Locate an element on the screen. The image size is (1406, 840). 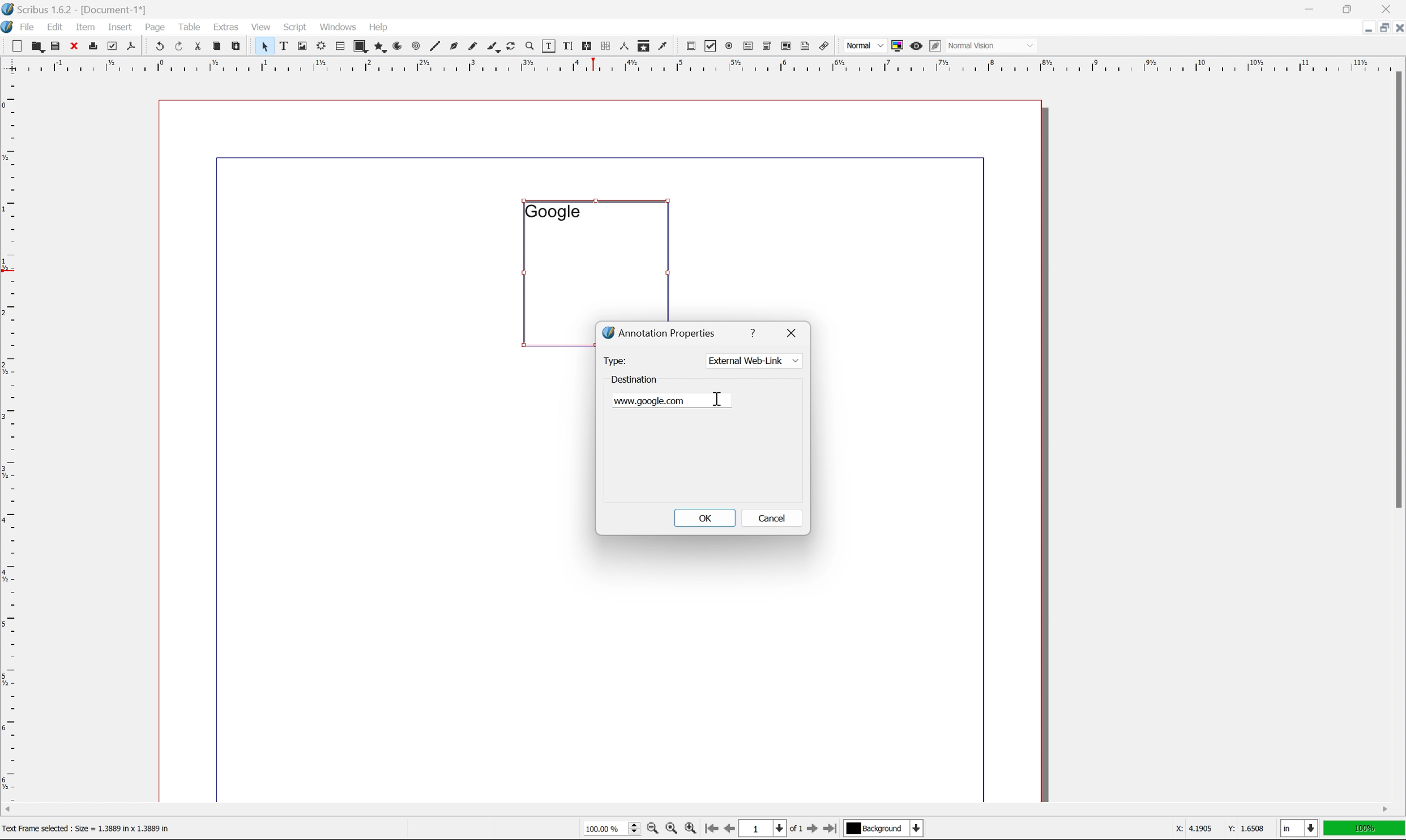
eye dropper is located at coordinates (663, 45).